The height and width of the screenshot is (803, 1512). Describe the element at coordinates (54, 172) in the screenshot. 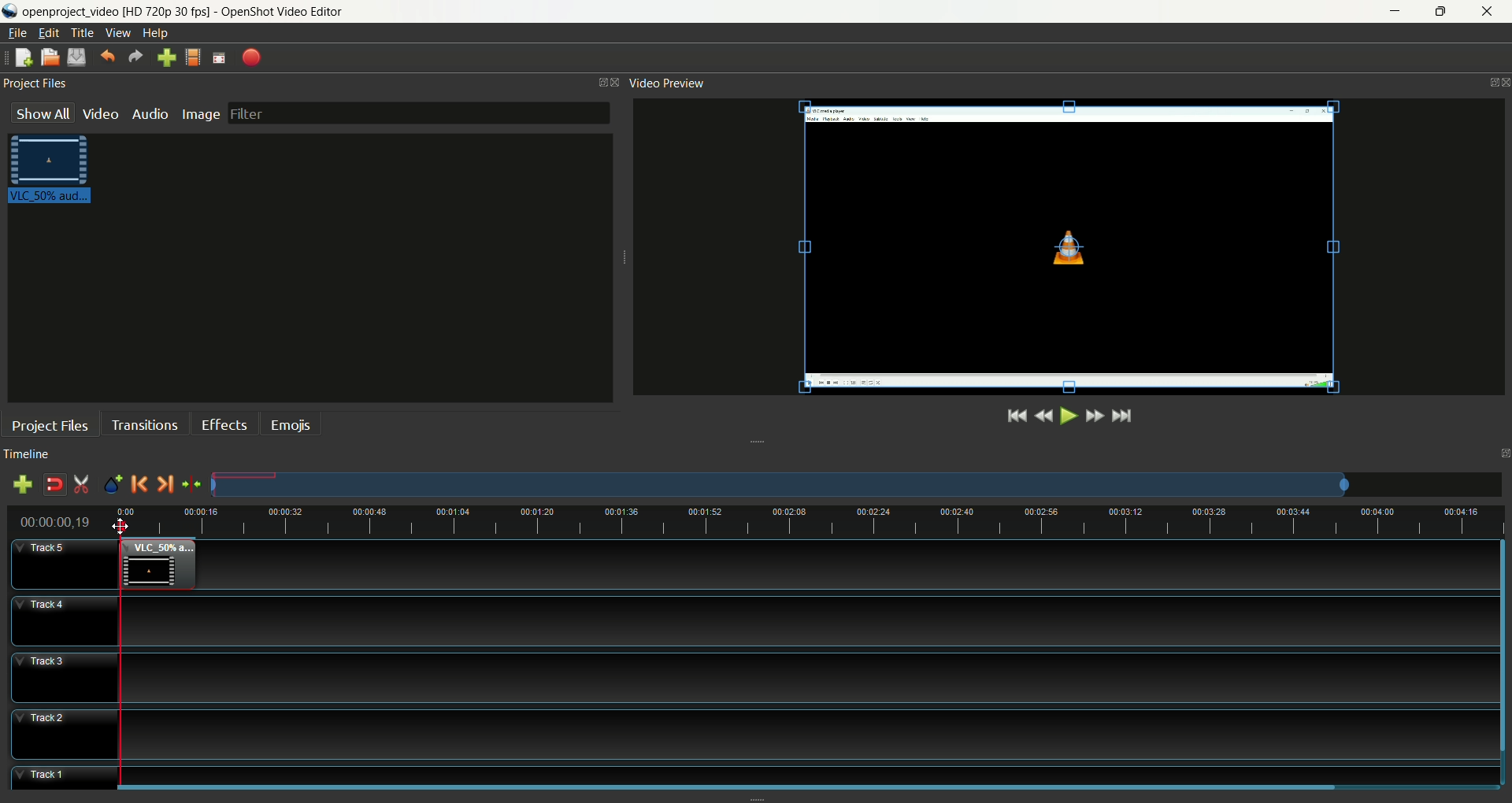

I see `video clip` at that location.